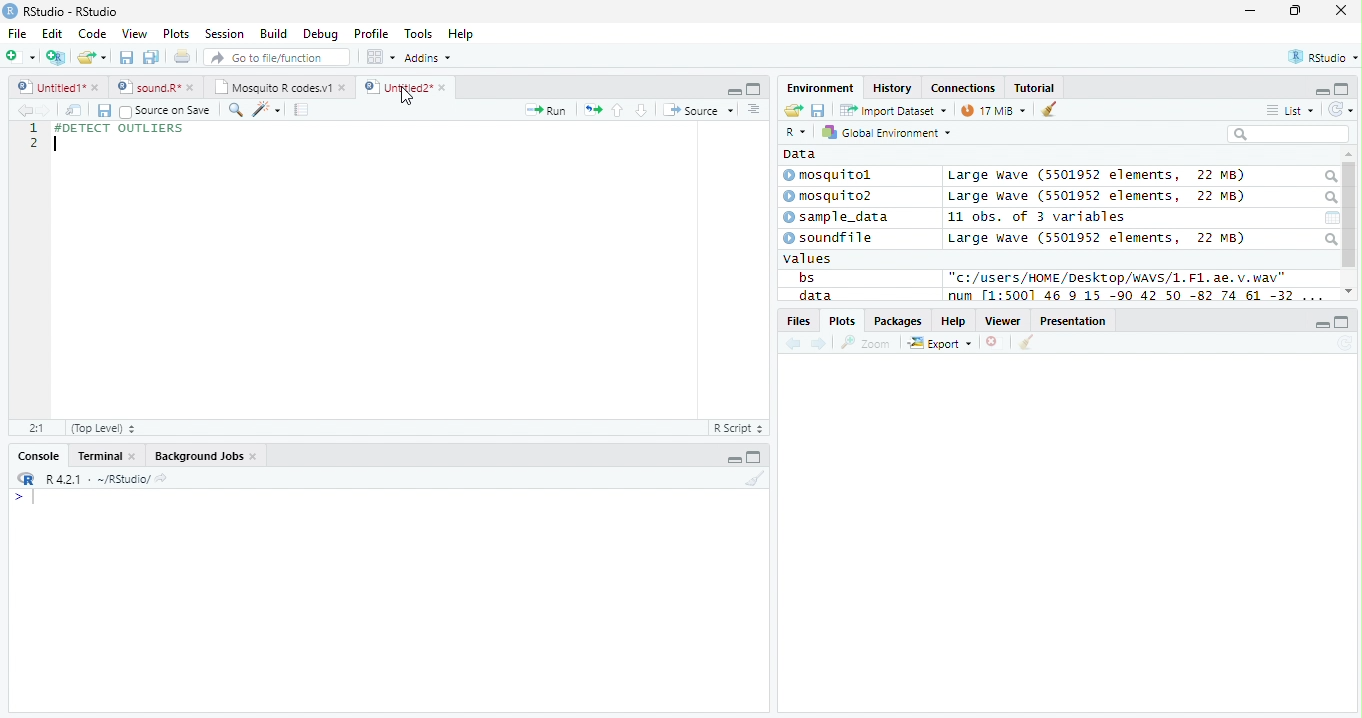 Image resolution: width=1362 pixels, height=718 pixels. I want to click on sample_data, so click(838, 218).